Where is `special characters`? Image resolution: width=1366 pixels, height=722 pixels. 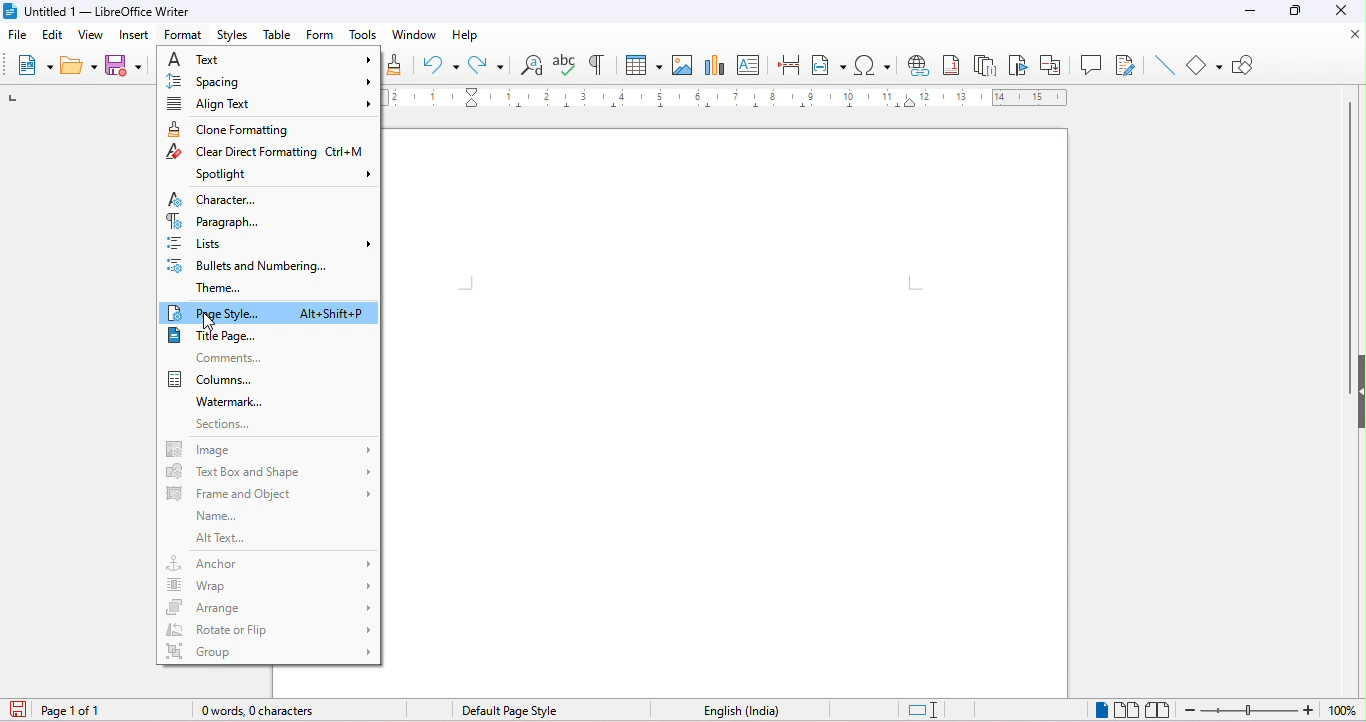
special characters is located at coordinates (877, 68).